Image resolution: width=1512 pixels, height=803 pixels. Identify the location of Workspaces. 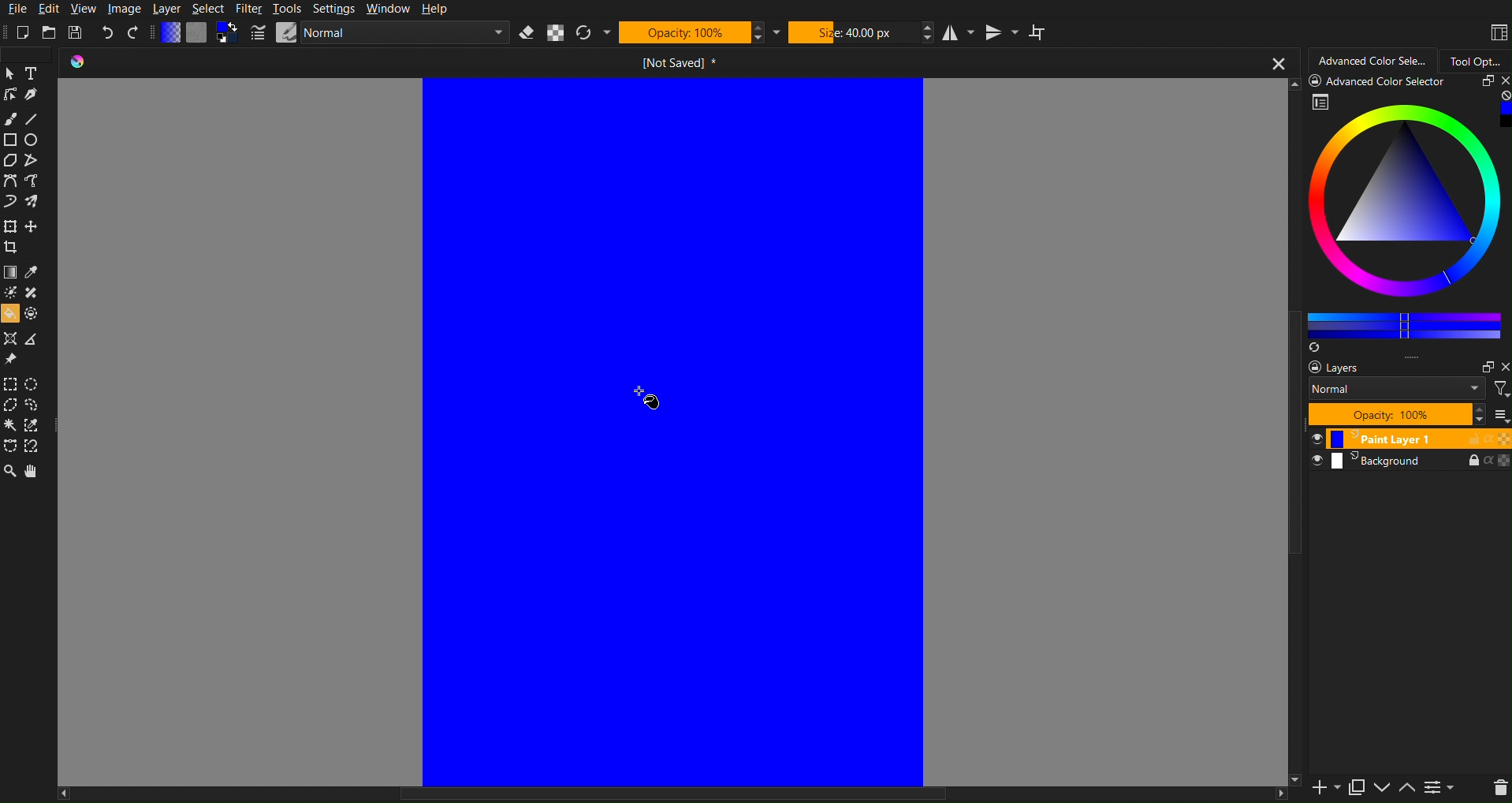
(1497, 30).